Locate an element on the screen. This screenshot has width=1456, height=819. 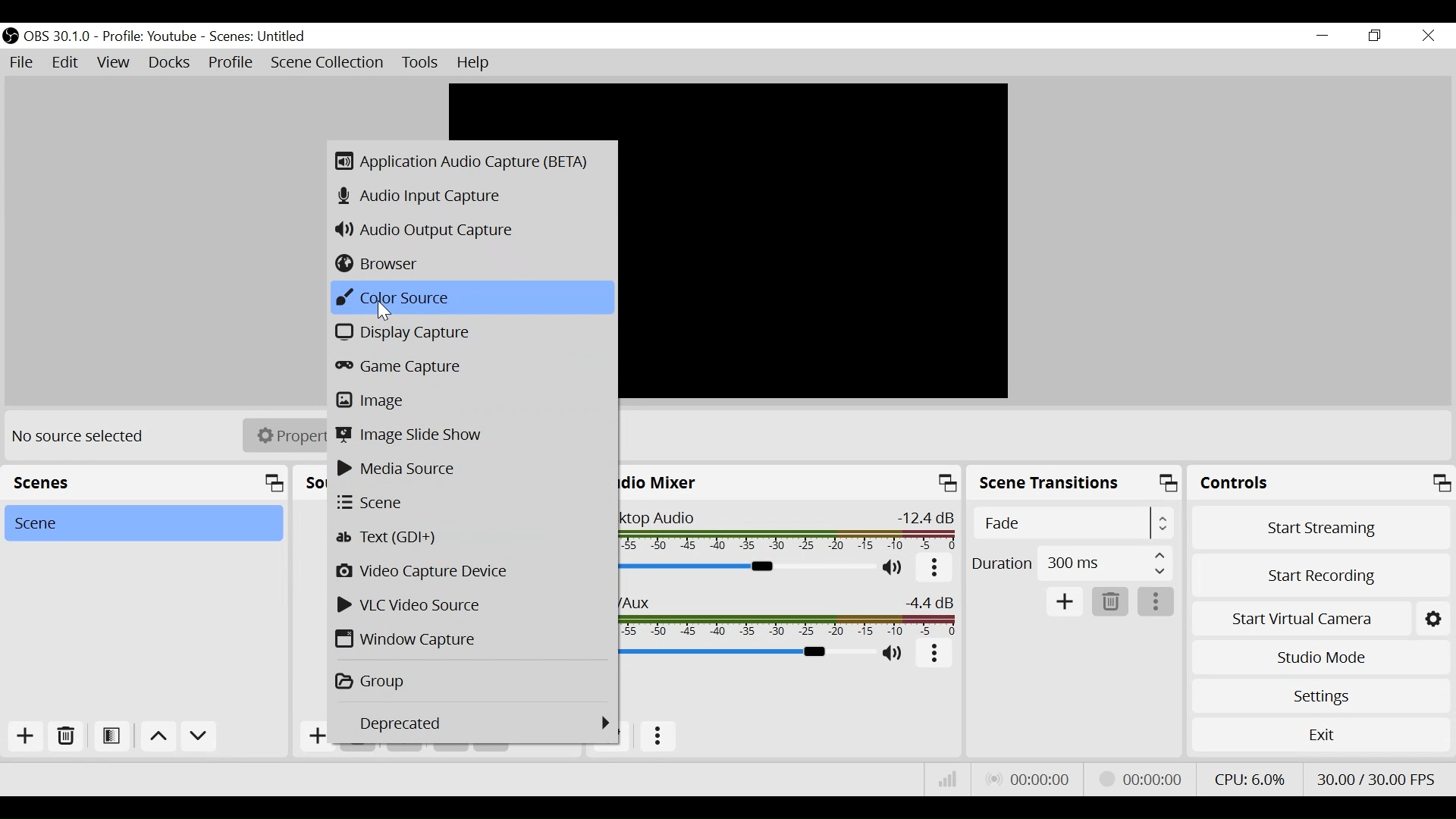
VLC Video Source is located at coordinates (470, 606).